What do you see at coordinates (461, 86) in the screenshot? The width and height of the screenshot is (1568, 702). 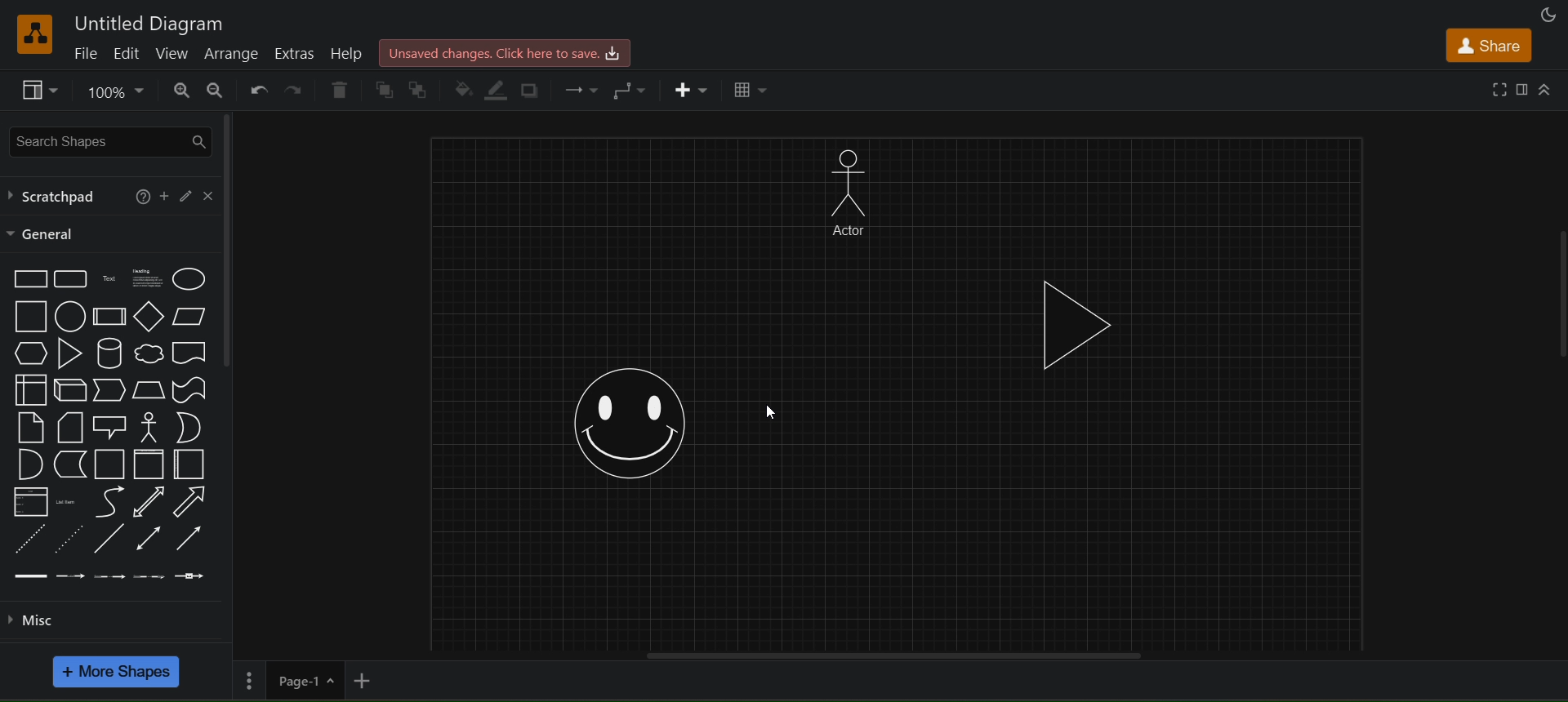 I see `fill color ` at bounding box center [461, 86].